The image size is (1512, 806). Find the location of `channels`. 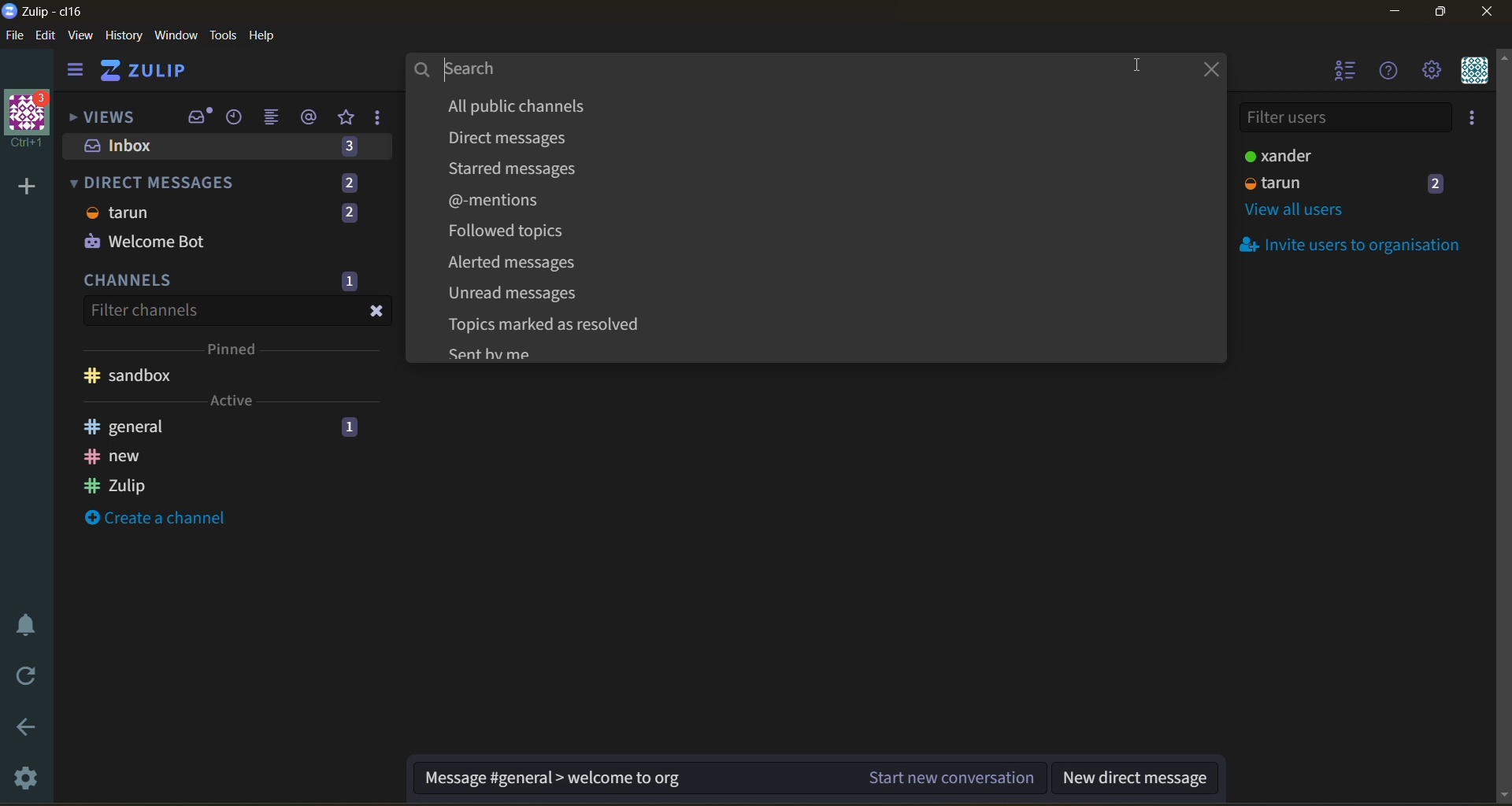

channels is located at coordinates (131, 279).